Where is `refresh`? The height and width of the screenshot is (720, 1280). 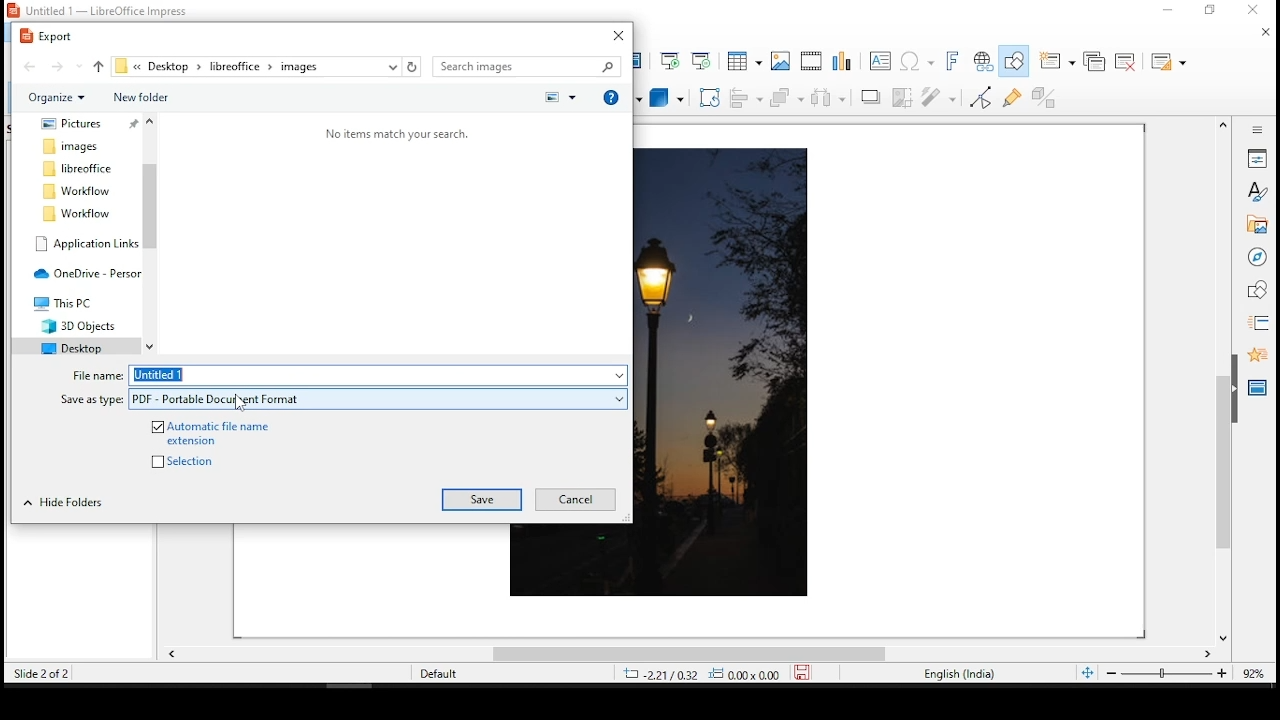
refresh is located at coordinates (413, 66).